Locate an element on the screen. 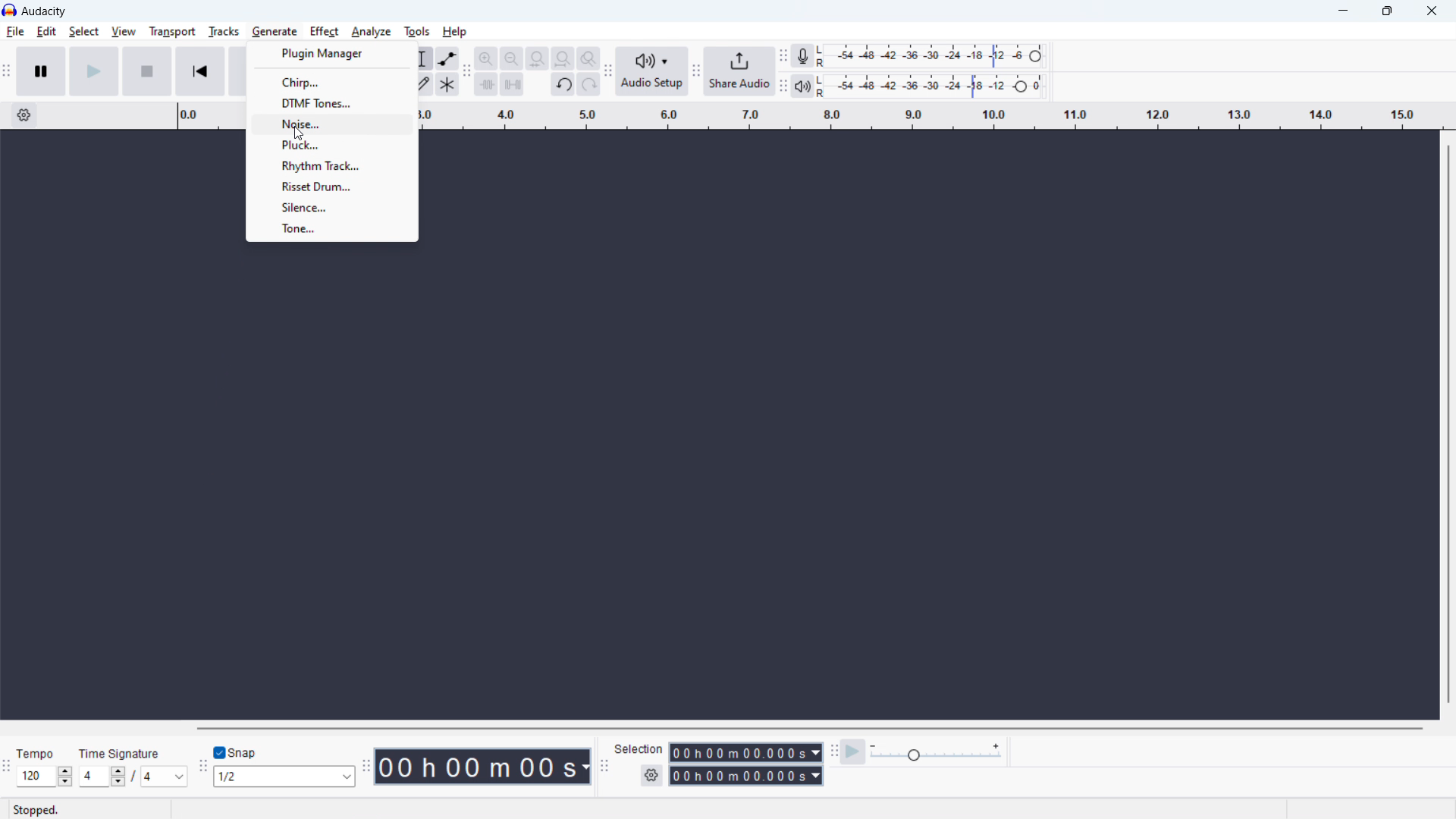 Image resolution: width=1456 pixels, height=819 pixels. share audio is located at coordinates (739, 71).